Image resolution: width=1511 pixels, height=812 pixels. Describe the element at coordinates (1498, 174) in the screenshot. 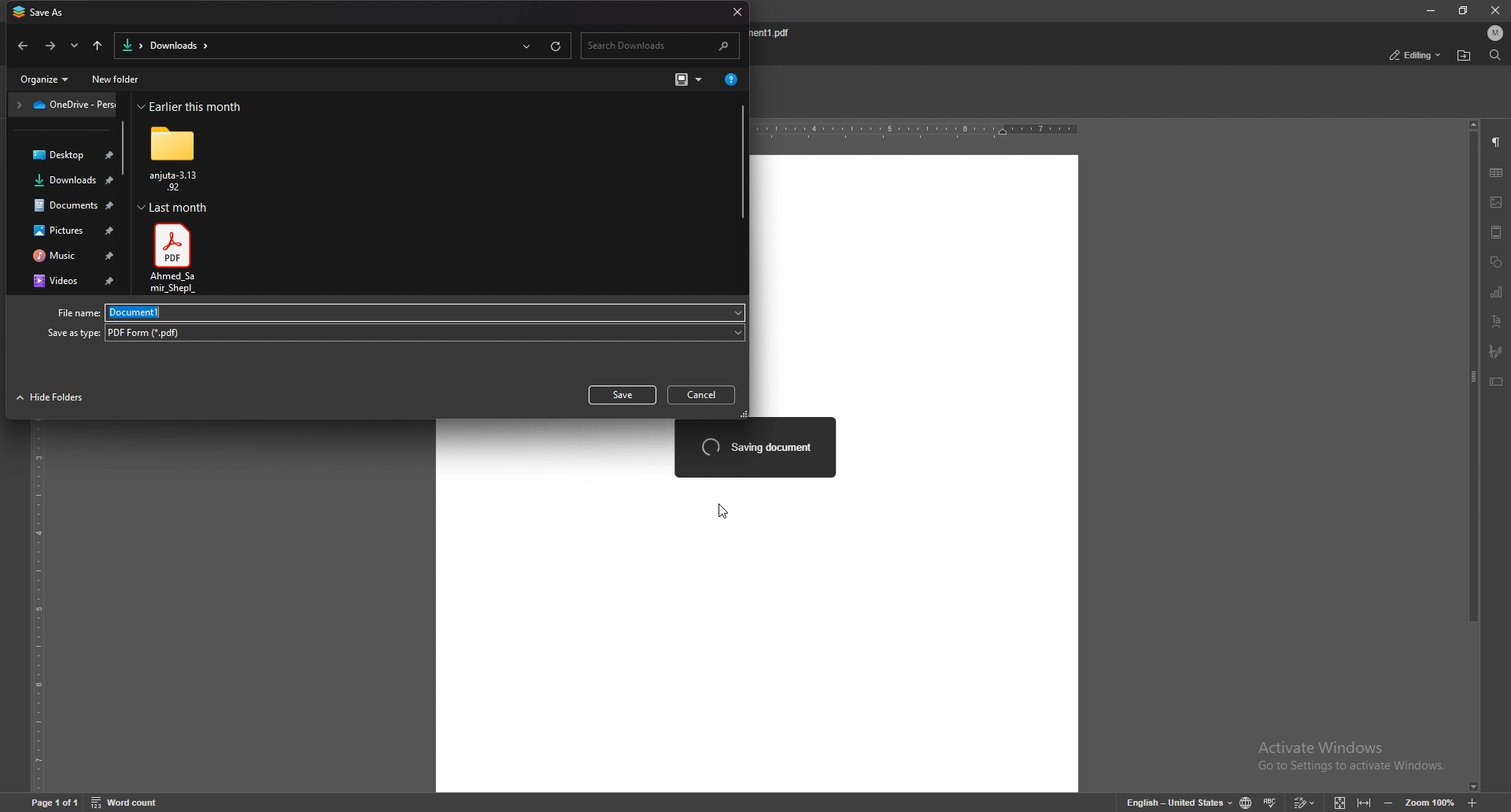

I see `table` at that location.